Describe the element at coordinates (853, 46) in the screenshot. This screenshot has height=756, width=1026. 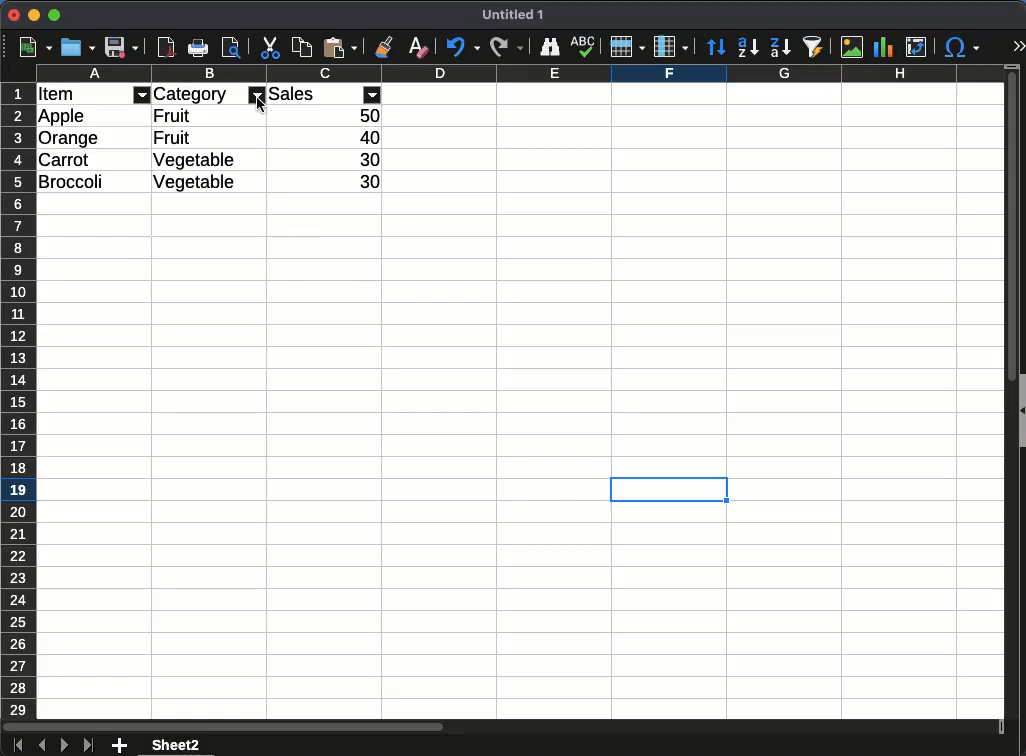
I see `image` at that location.